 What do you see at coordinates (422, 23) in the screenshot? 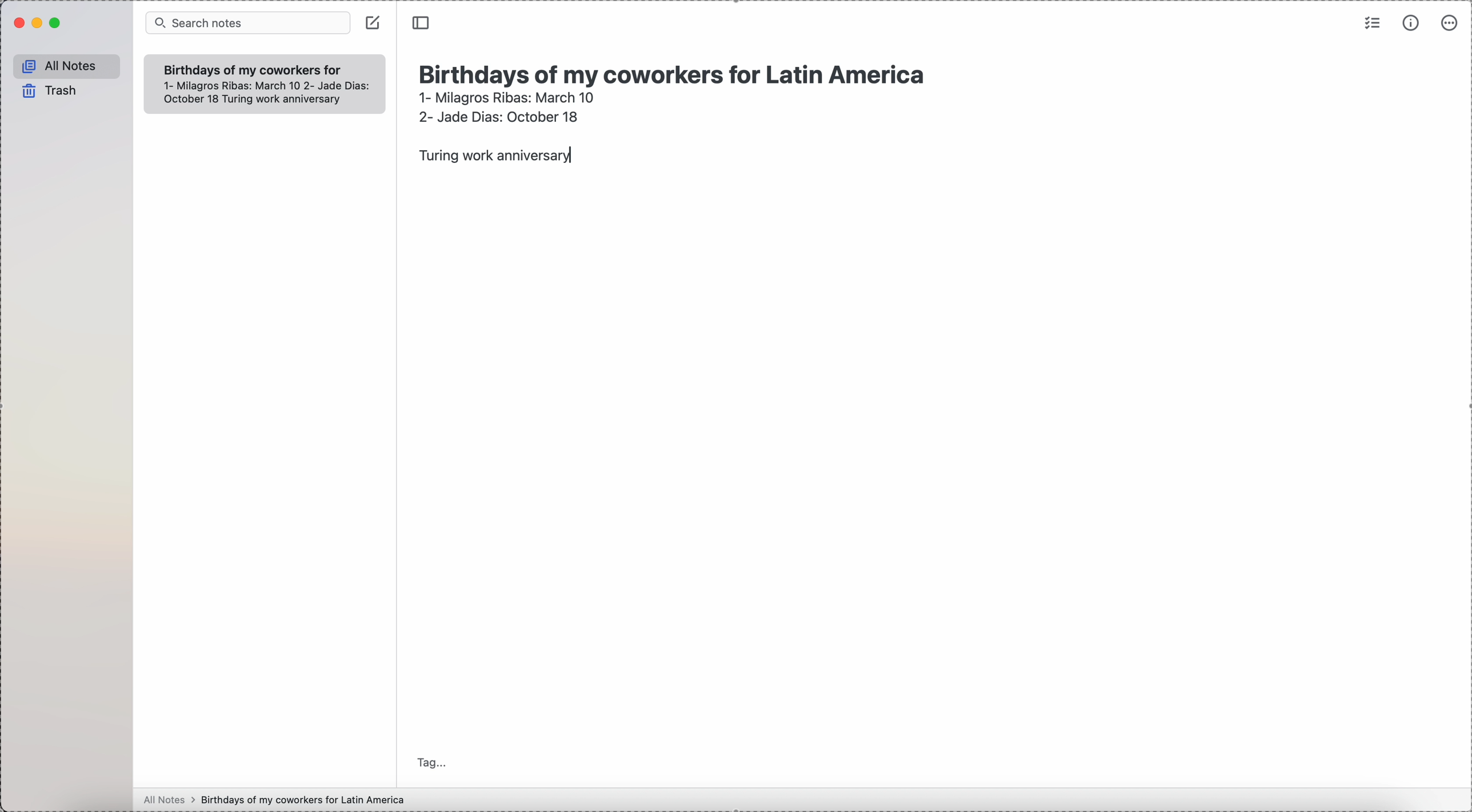
I see `toggle side bar` at bounding box center [422, 23].